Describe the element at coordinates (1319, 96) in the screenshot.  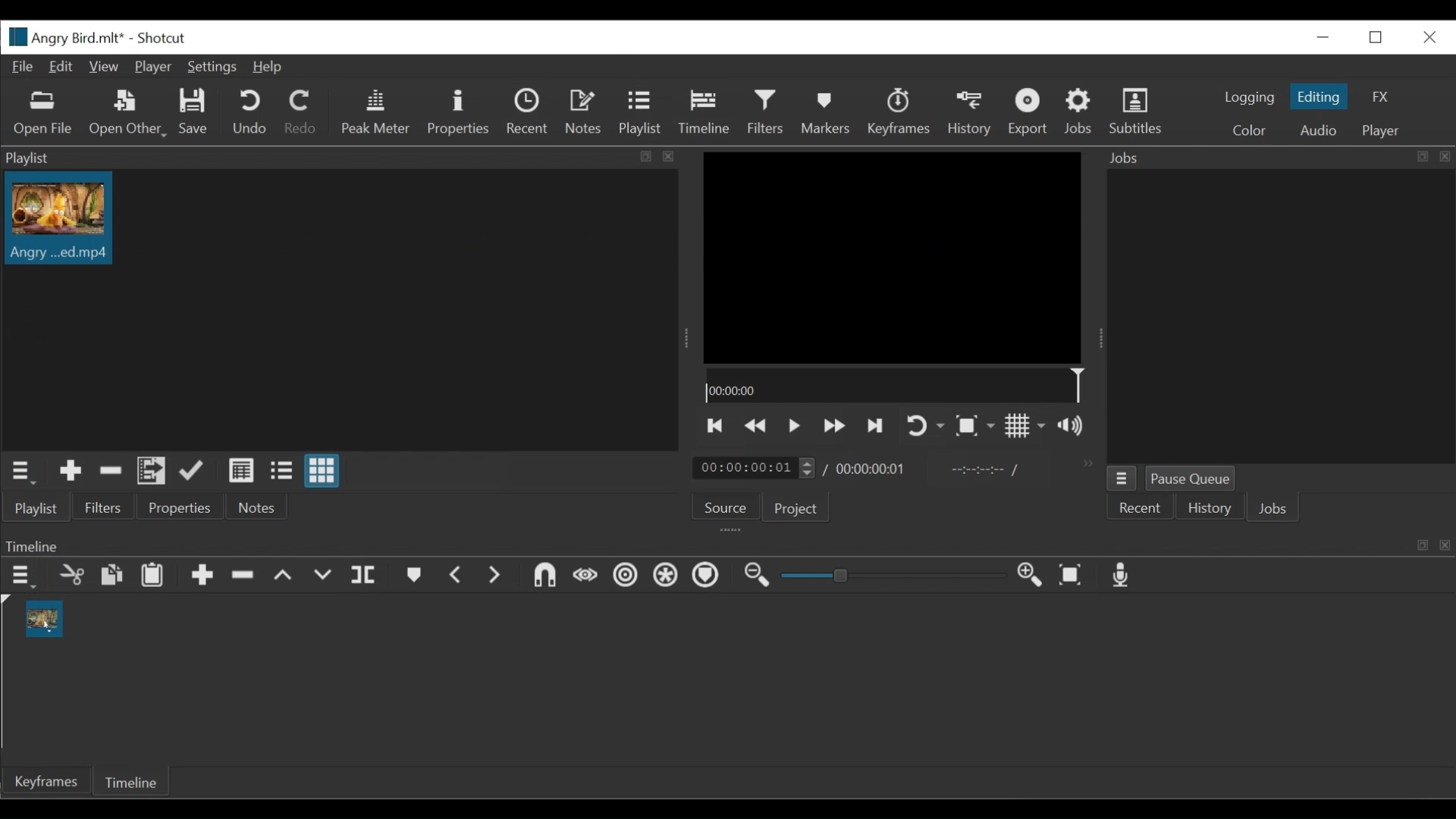
I see `Editing` at that location.